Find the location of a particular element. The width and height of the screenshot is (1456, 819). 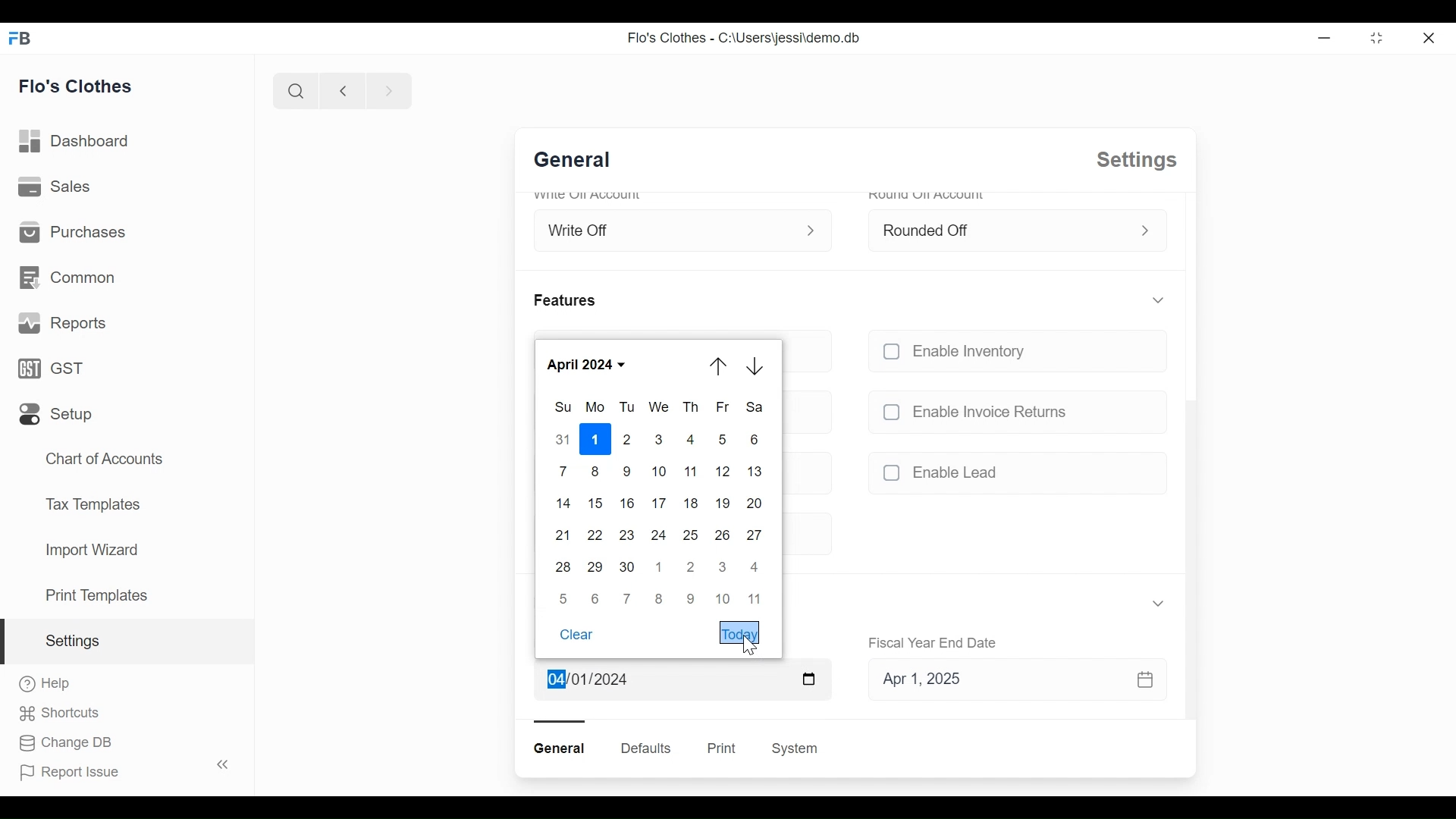

Shortcuts is located at coordinates (66, 714).